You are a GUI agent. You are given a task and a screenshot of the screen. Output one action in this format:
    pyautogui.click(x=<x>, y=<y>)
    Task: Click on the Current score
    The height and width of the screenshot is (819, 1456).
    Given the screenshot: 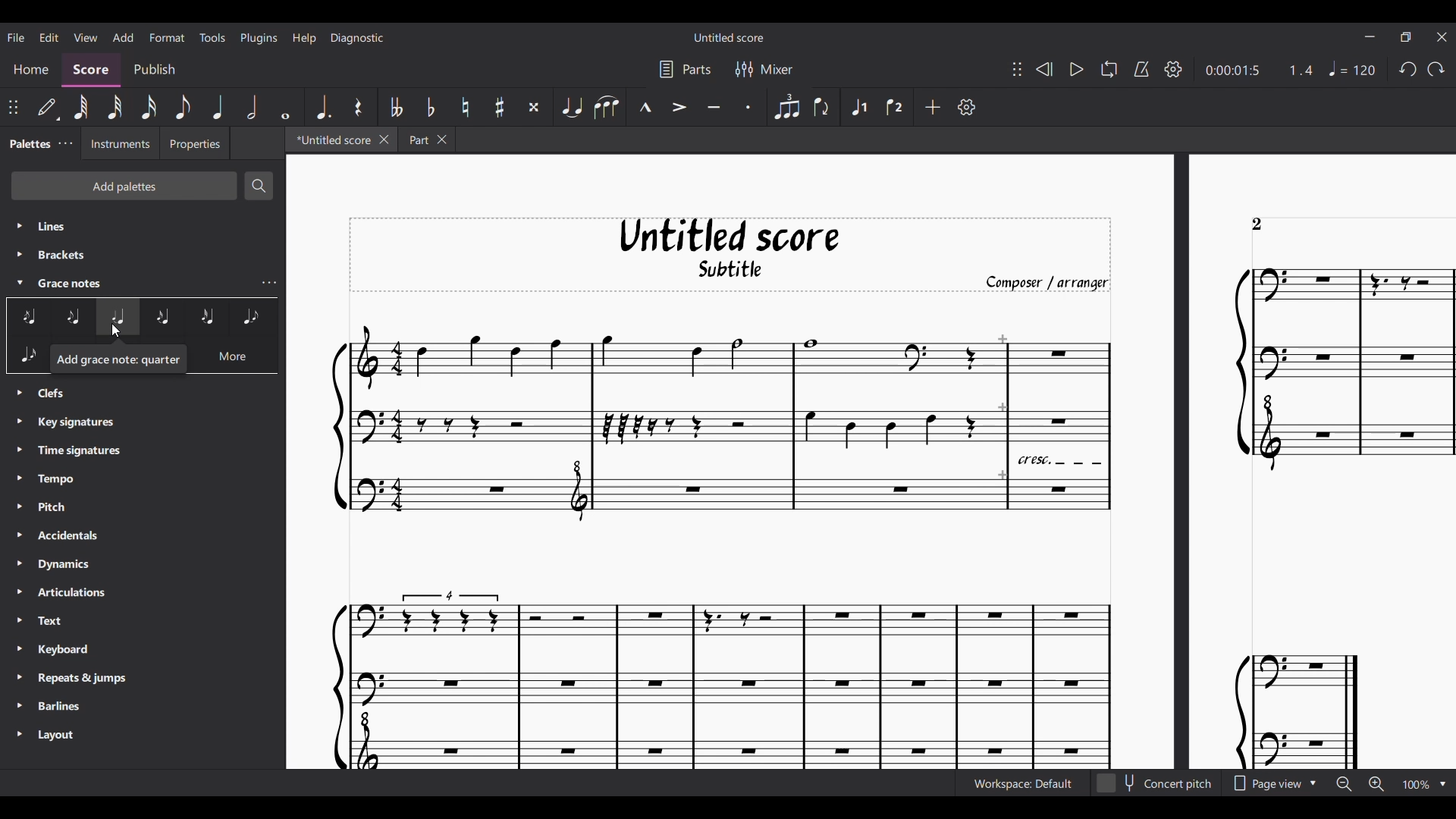 What is the action you would take?
    pyautogui.click(x=892, y=536)
    